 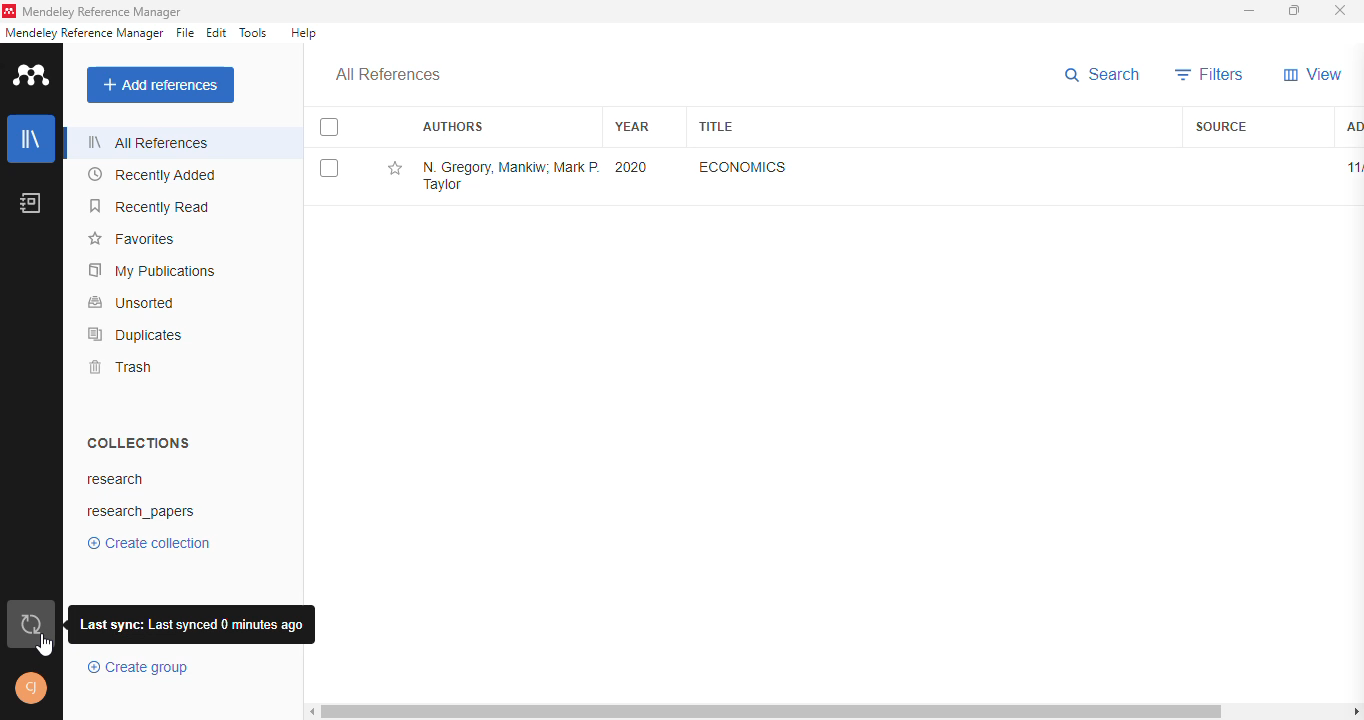 I want to click on close, so click(x=1340, y=11).